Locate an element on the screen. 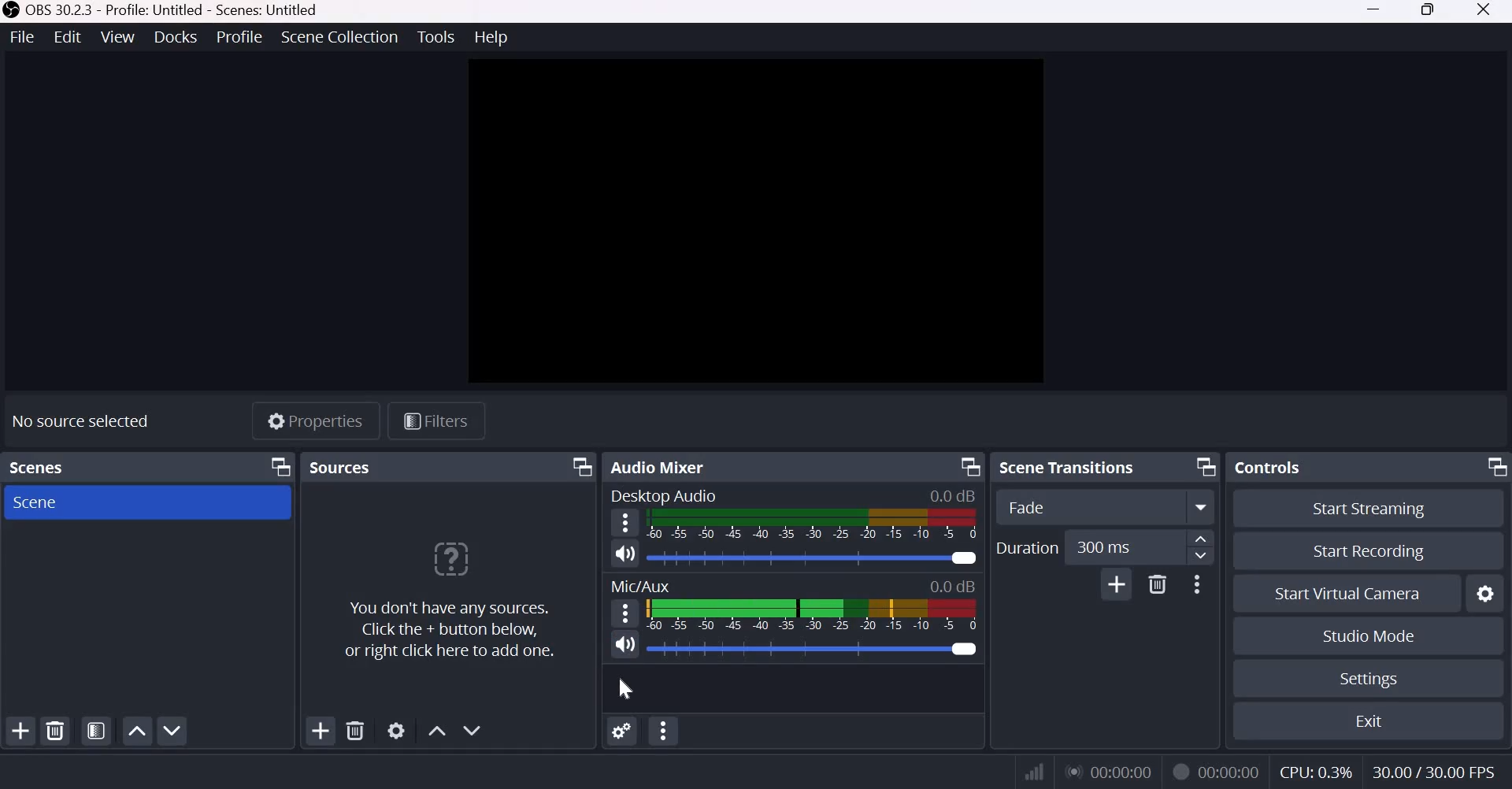  0.00 dB is located at coordinates (947, 494).